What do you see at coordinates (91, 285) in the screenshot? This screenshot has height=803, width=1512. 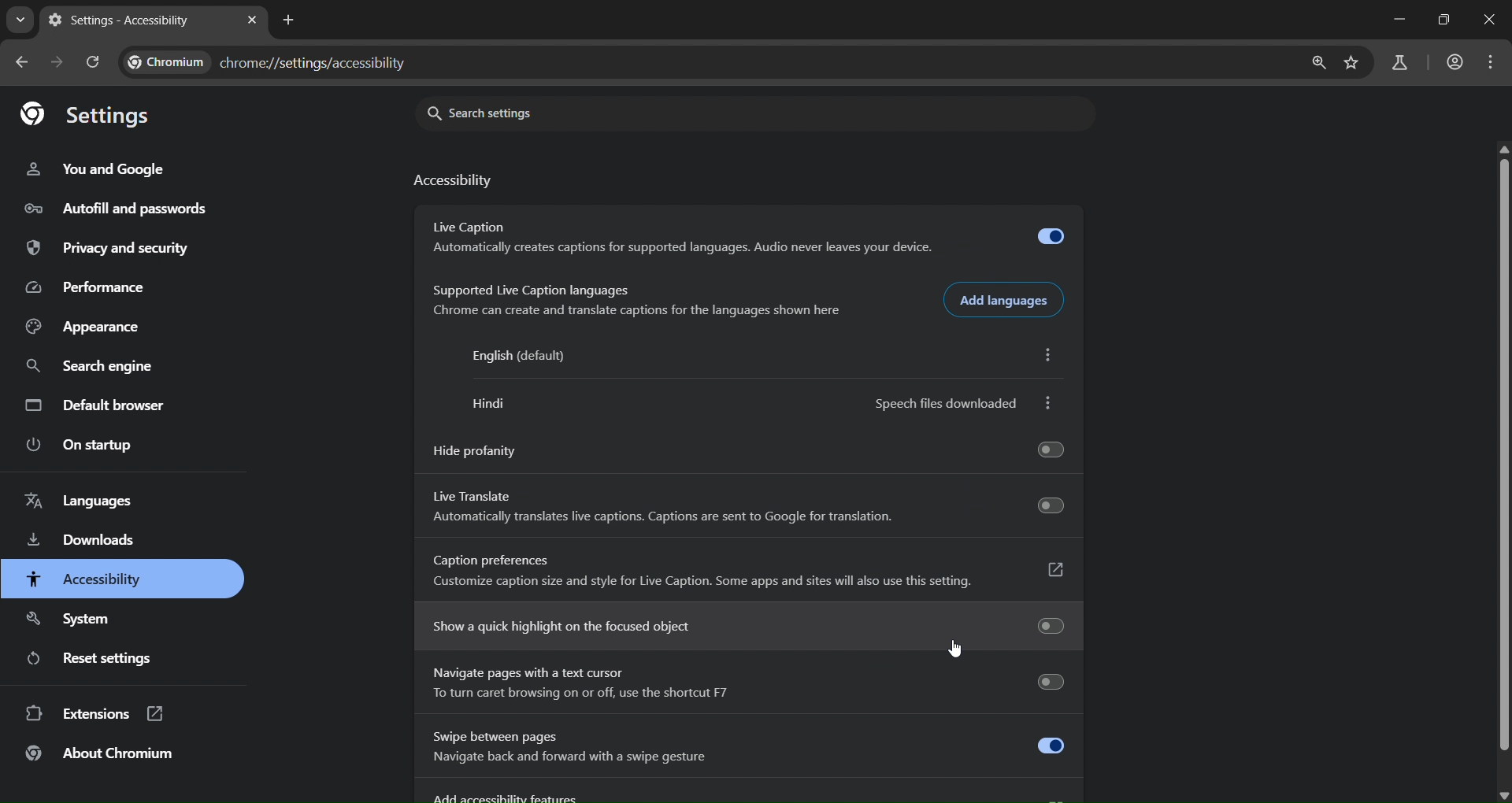 I see `performance` at bounding box center [91, 285].